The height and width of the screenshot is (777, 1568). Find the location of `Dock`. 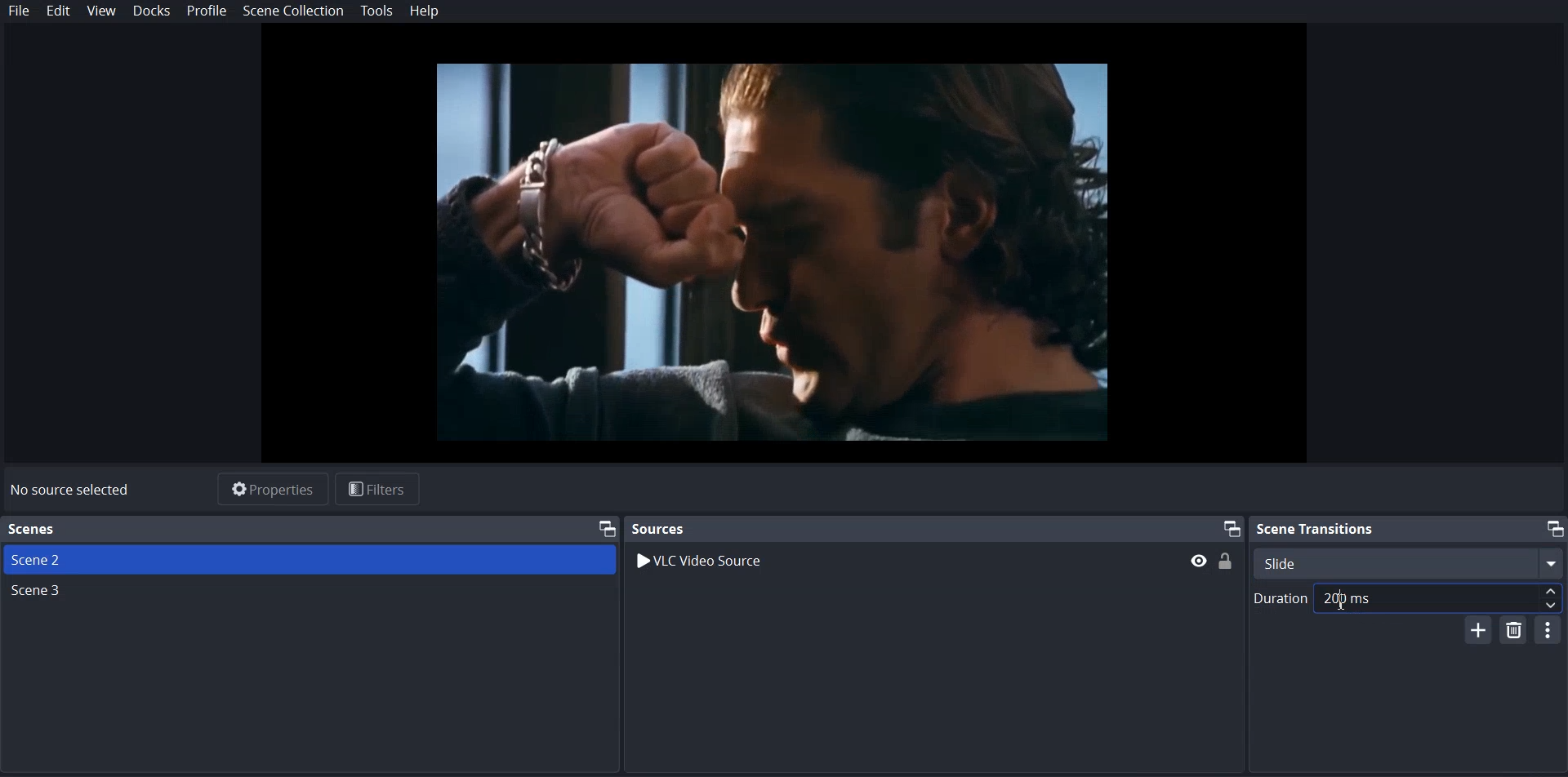

Dock is located at coordinates (152, 11).